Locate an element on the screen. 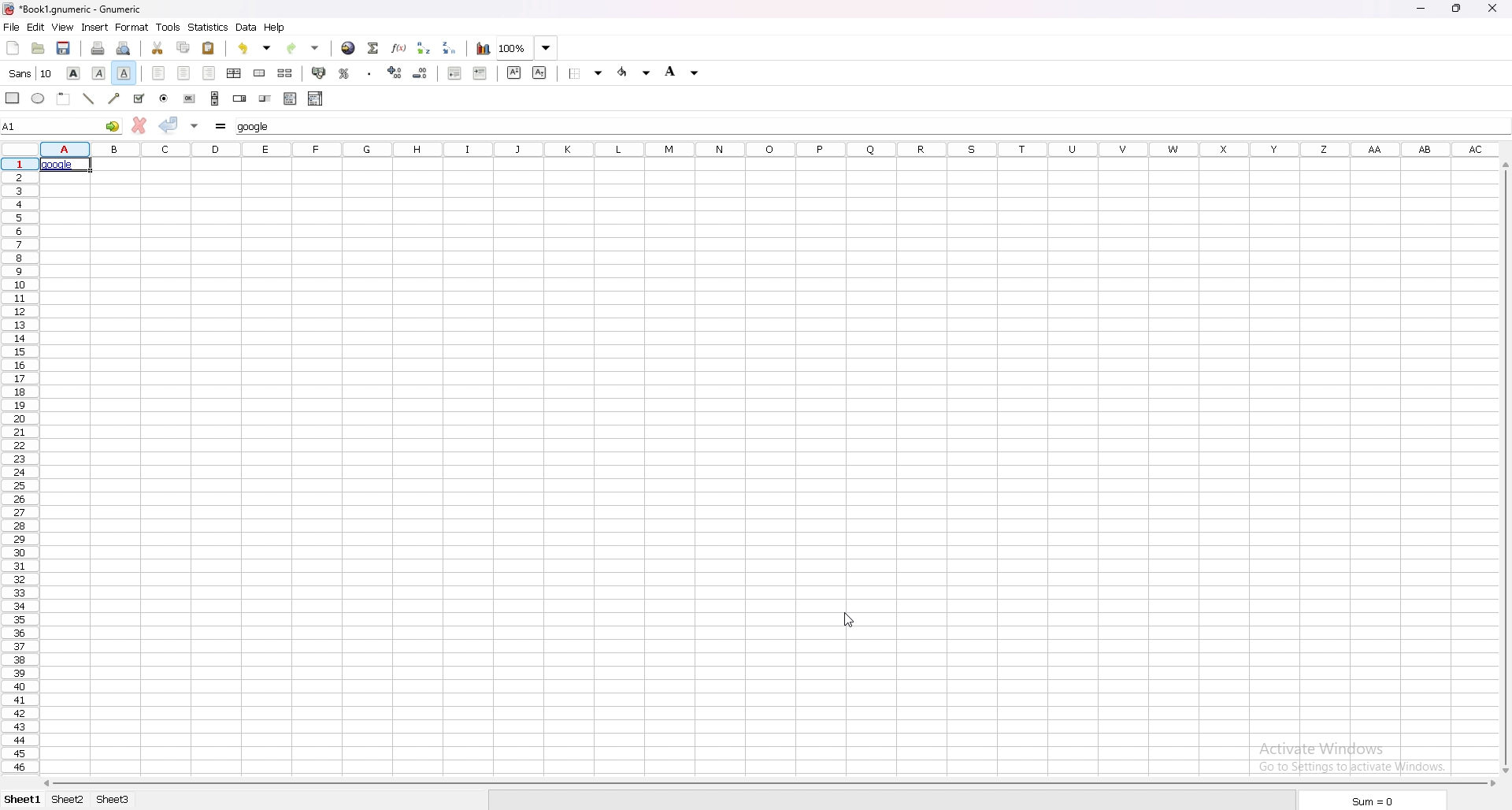 The width and height of the screenshot is (1512, 810). scroll bar is located at coordinates (215, 98).